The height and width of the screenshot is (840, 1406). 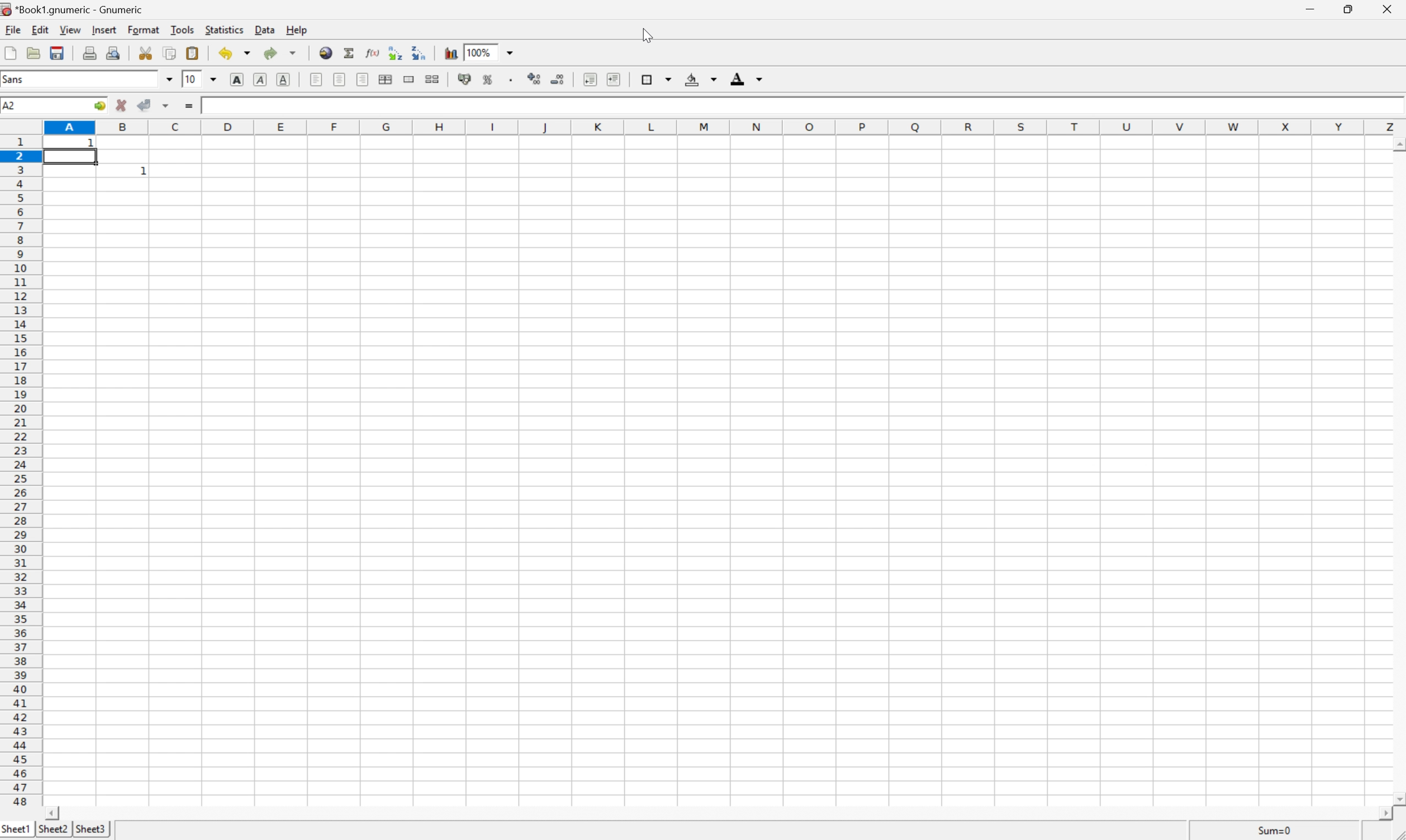 I want to click on Align Left, so click(x=318, y=78).